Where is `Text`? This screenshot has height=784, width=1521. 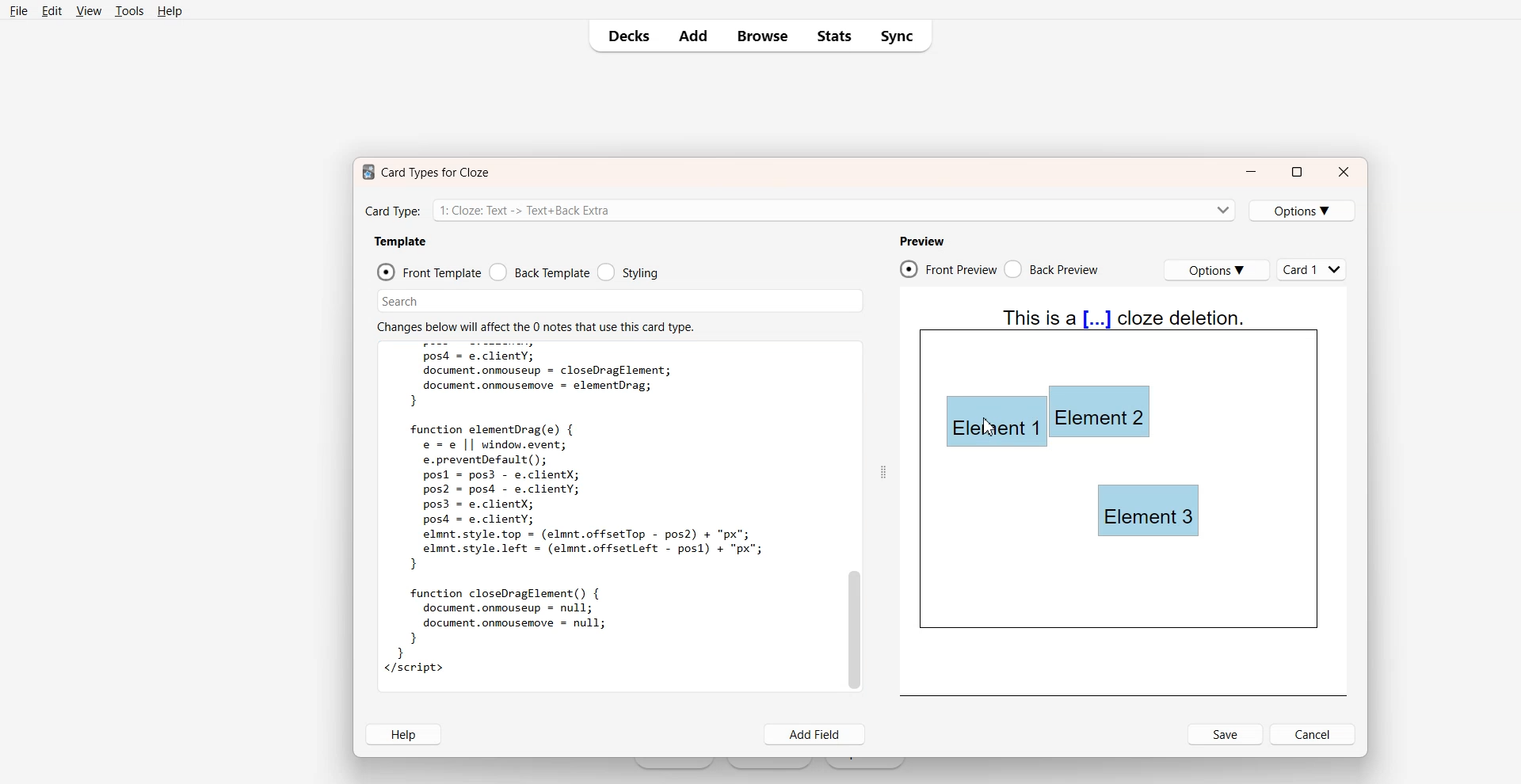
Text is located at coordinates (581, 516).